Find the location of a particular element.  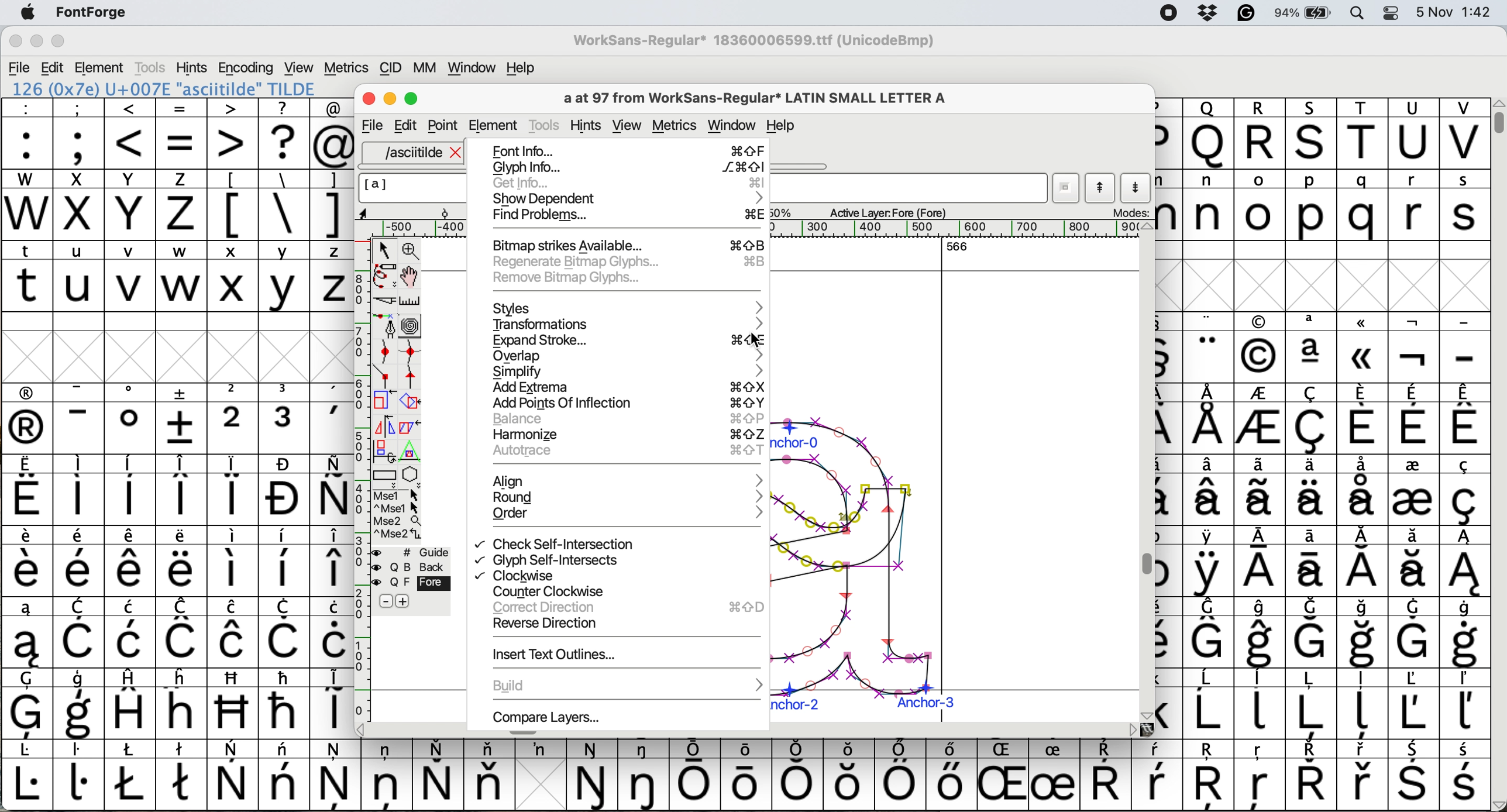

symbol is located at coordinates (133, 632).